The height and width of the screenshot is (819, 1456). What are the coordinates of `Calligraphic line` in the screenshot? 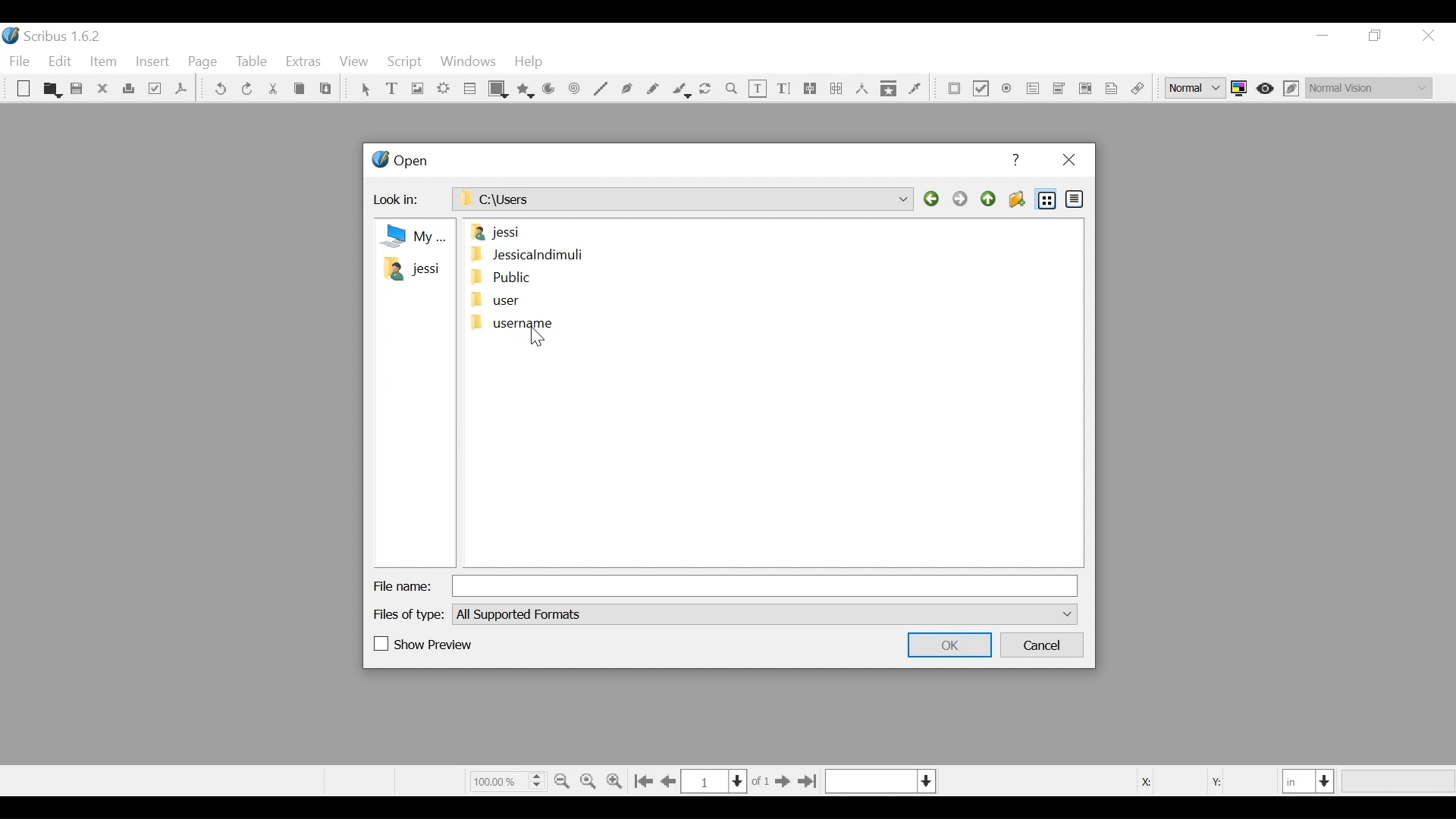 It's located at (680, 90).